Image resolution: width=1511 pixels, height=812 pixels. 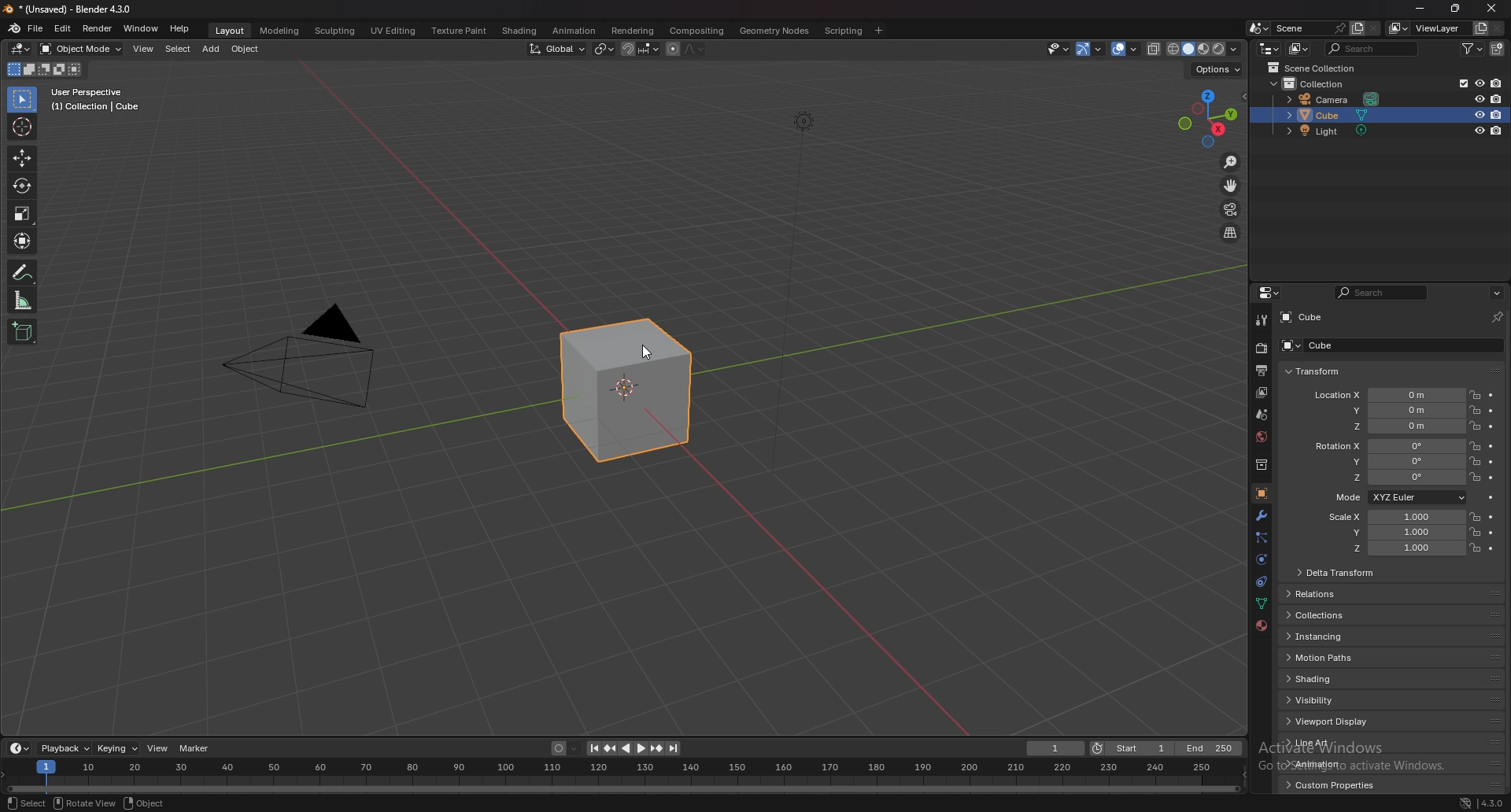 What do you see at coordinates (1508, 555) in the screenshot?
I see `scroll bar` at bounding box center [1508, 555].